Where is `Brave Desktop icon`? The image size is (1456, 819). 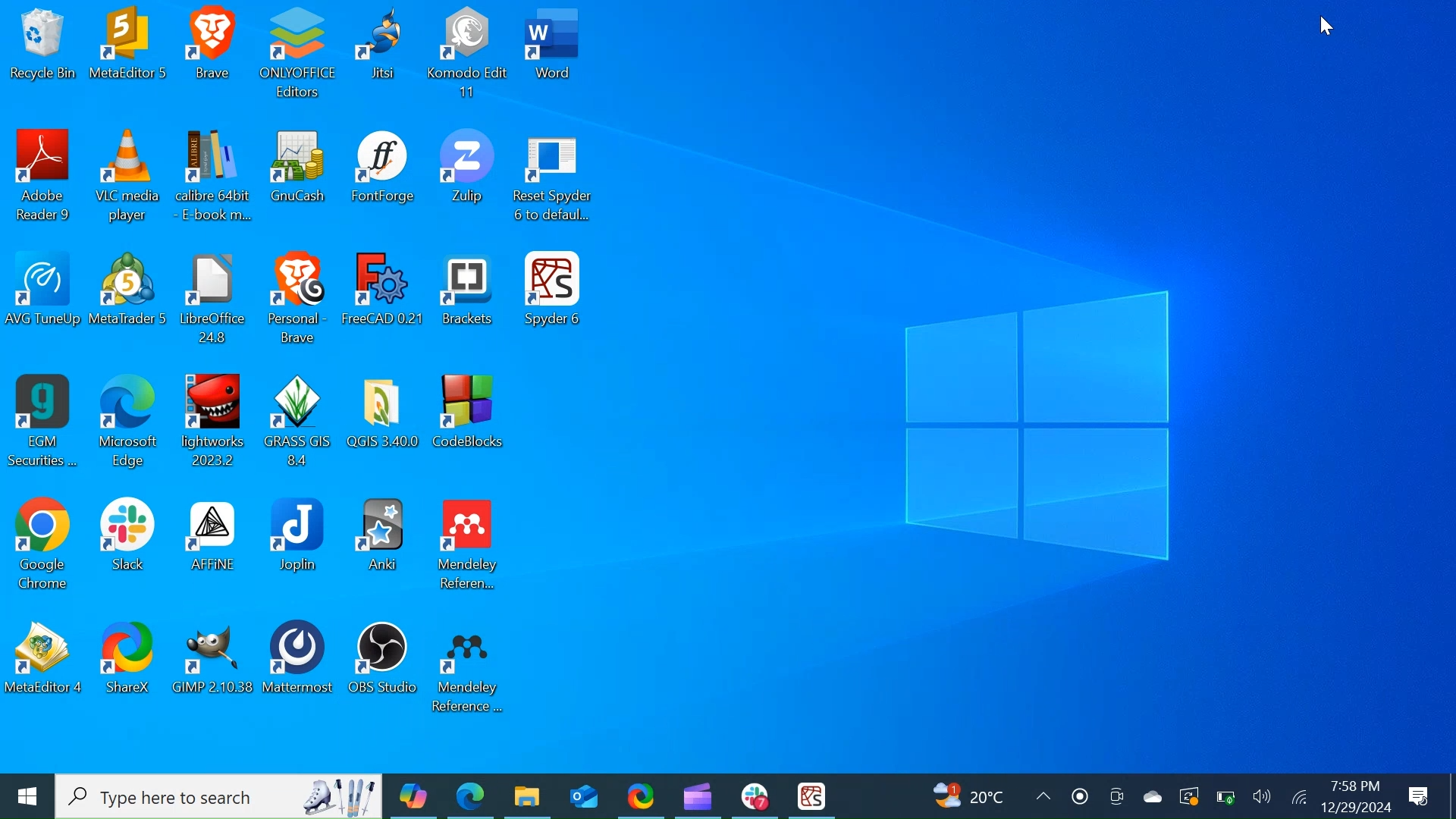 Brave Desktop icon is located at coordinates (213, 52).